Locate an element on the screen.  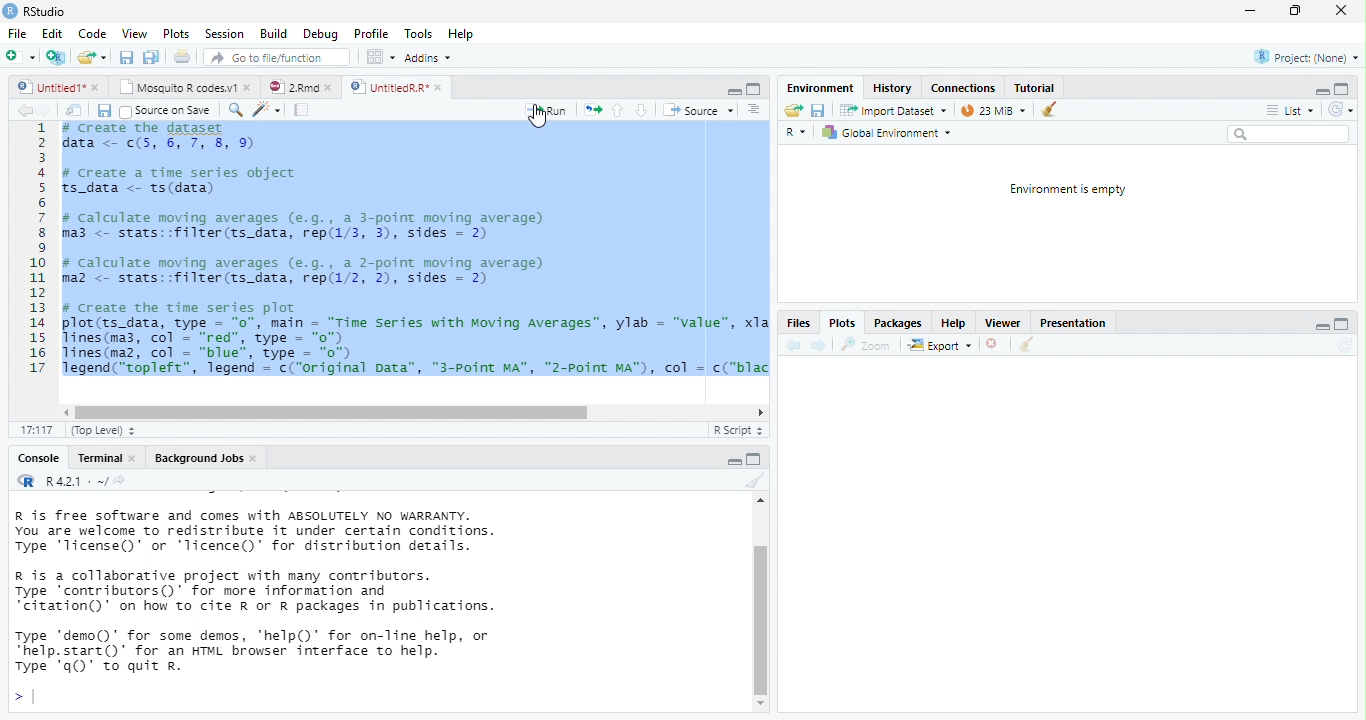
RStudio is located at coordinates (36, 10).